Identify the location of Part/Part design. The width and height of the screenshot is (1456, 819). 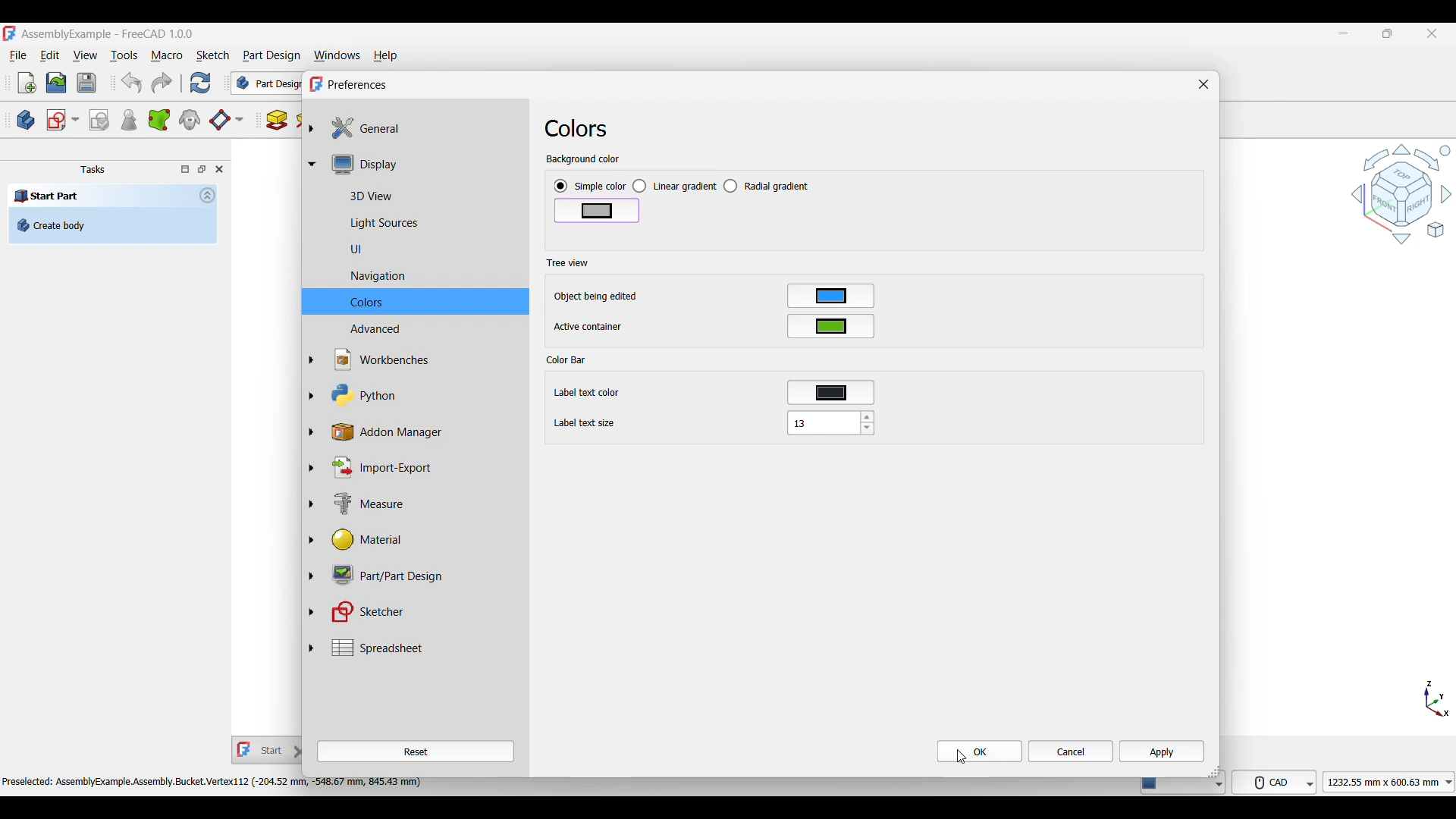
(424, 574).